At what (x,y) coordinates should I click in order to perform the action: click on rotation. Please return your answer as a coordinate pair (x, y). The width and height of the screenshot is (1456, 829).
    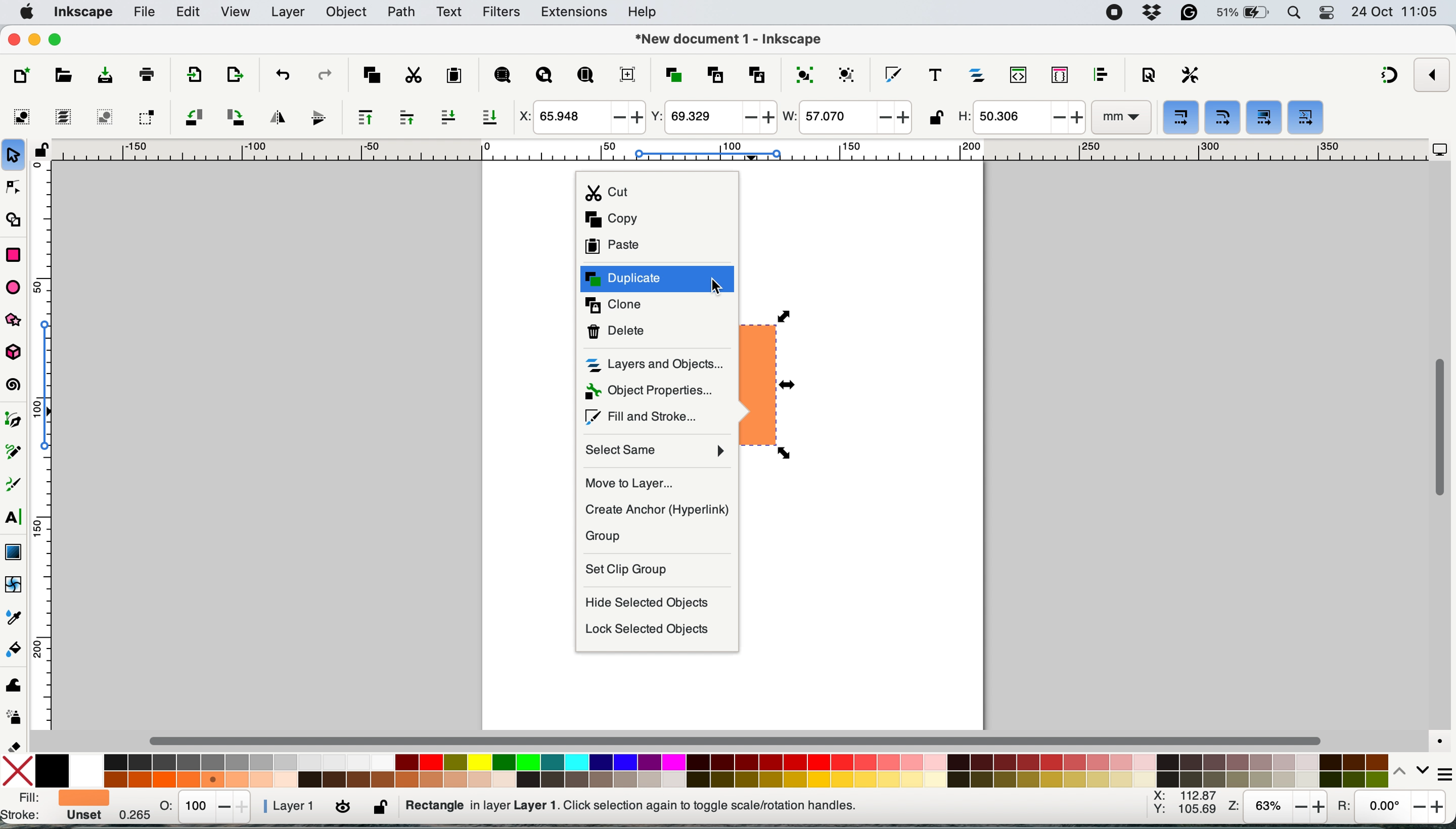
    Looking at the image, I should click on (1389, 810).